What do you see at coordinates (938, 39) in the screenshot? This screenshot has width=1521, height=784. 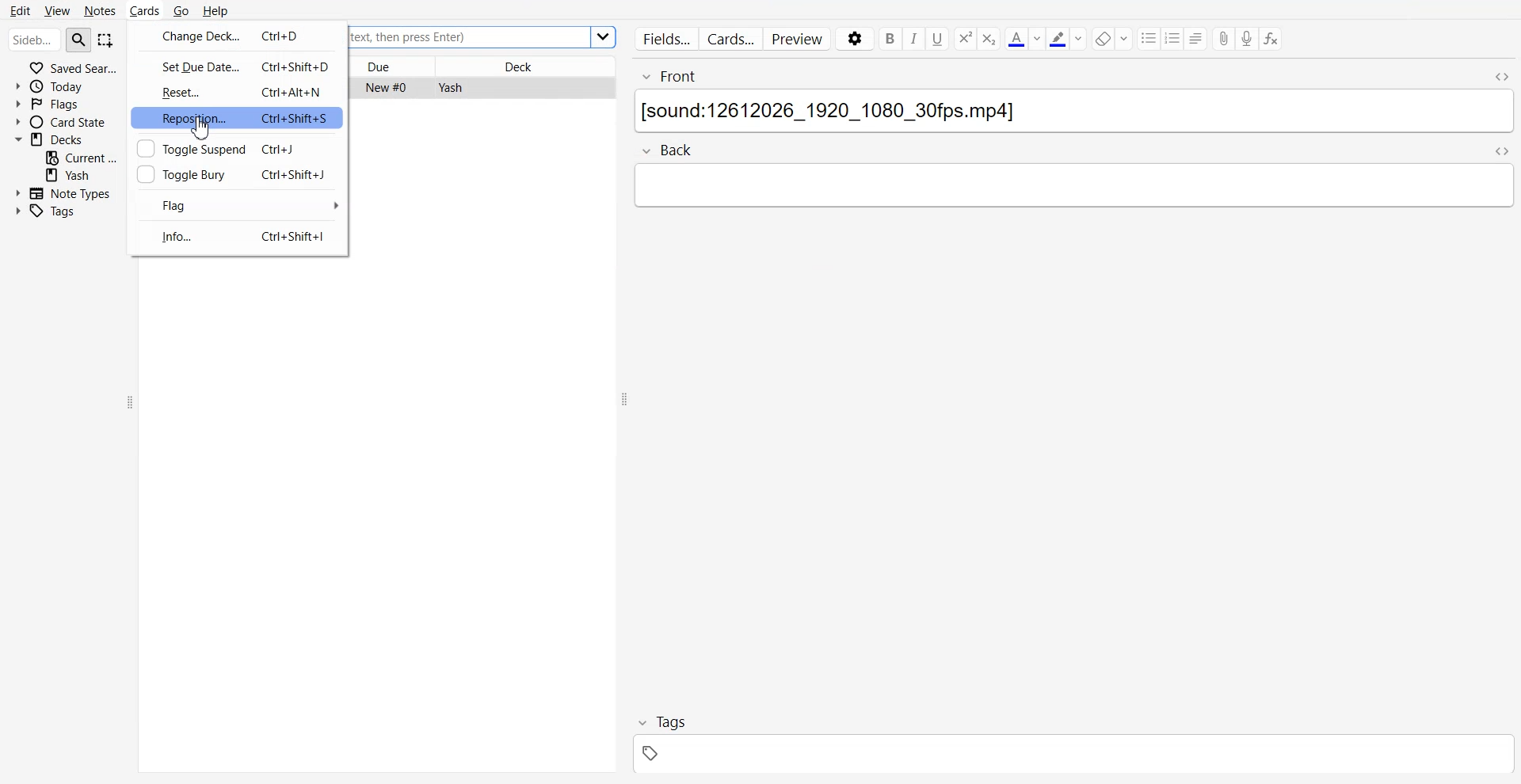 I see `Underline` at bounding box center [938, 39].